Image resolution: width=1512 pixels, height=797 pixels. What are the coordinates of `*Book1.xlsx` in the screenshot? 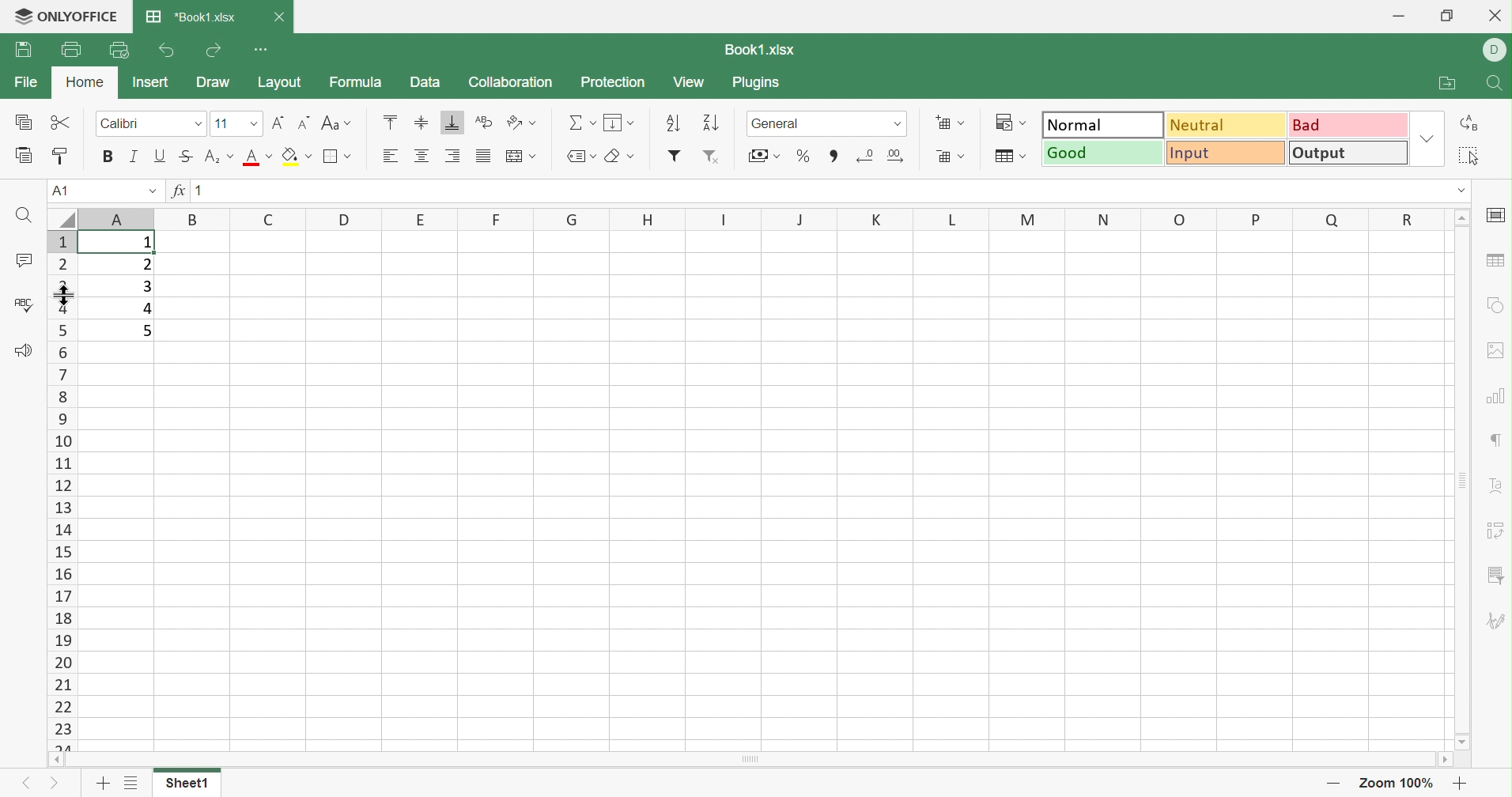 It's located at (193, 17).